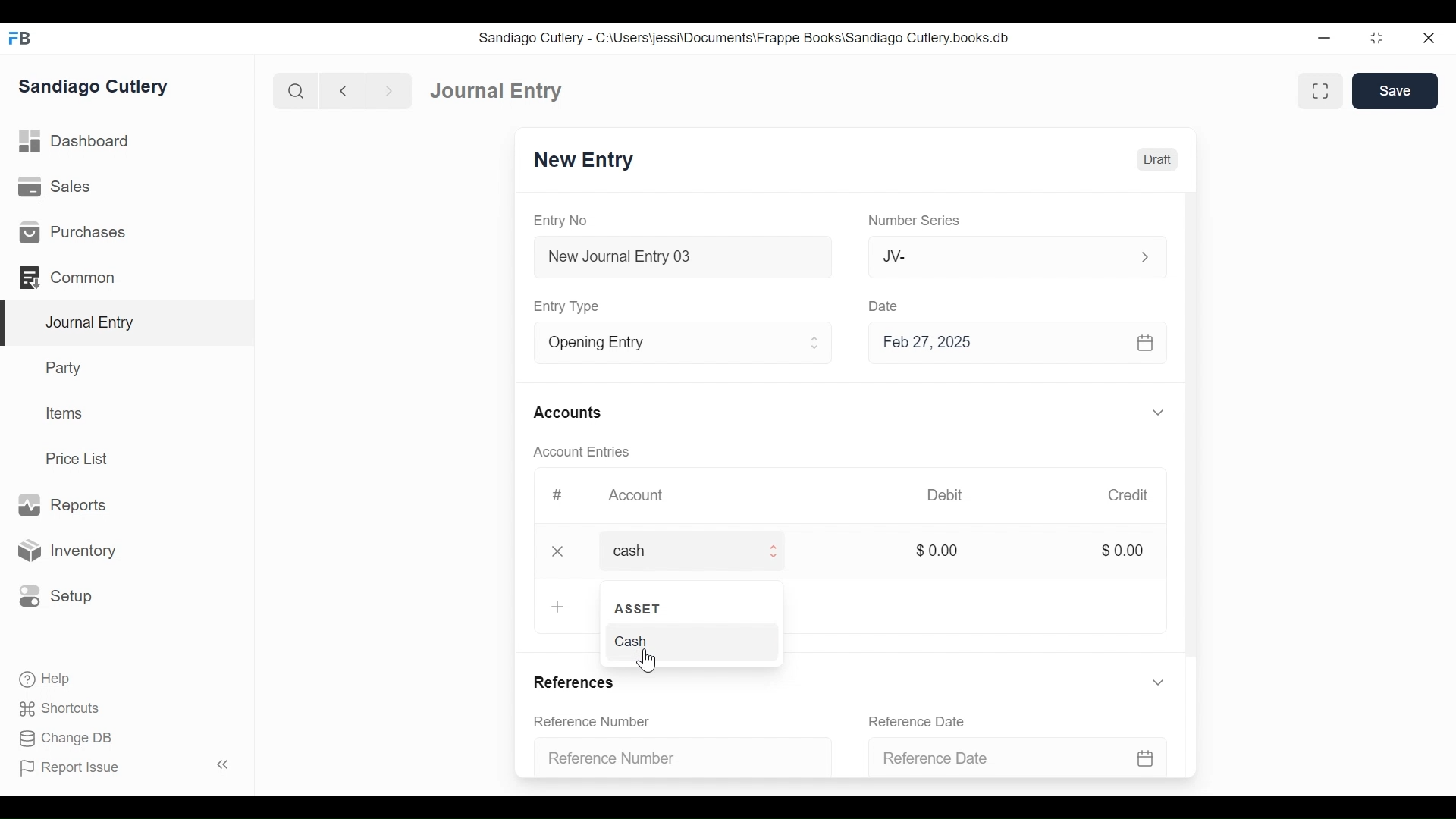 This screenshot has height=819, width=1456. I want to click on Dashboard, so click(75, 142).